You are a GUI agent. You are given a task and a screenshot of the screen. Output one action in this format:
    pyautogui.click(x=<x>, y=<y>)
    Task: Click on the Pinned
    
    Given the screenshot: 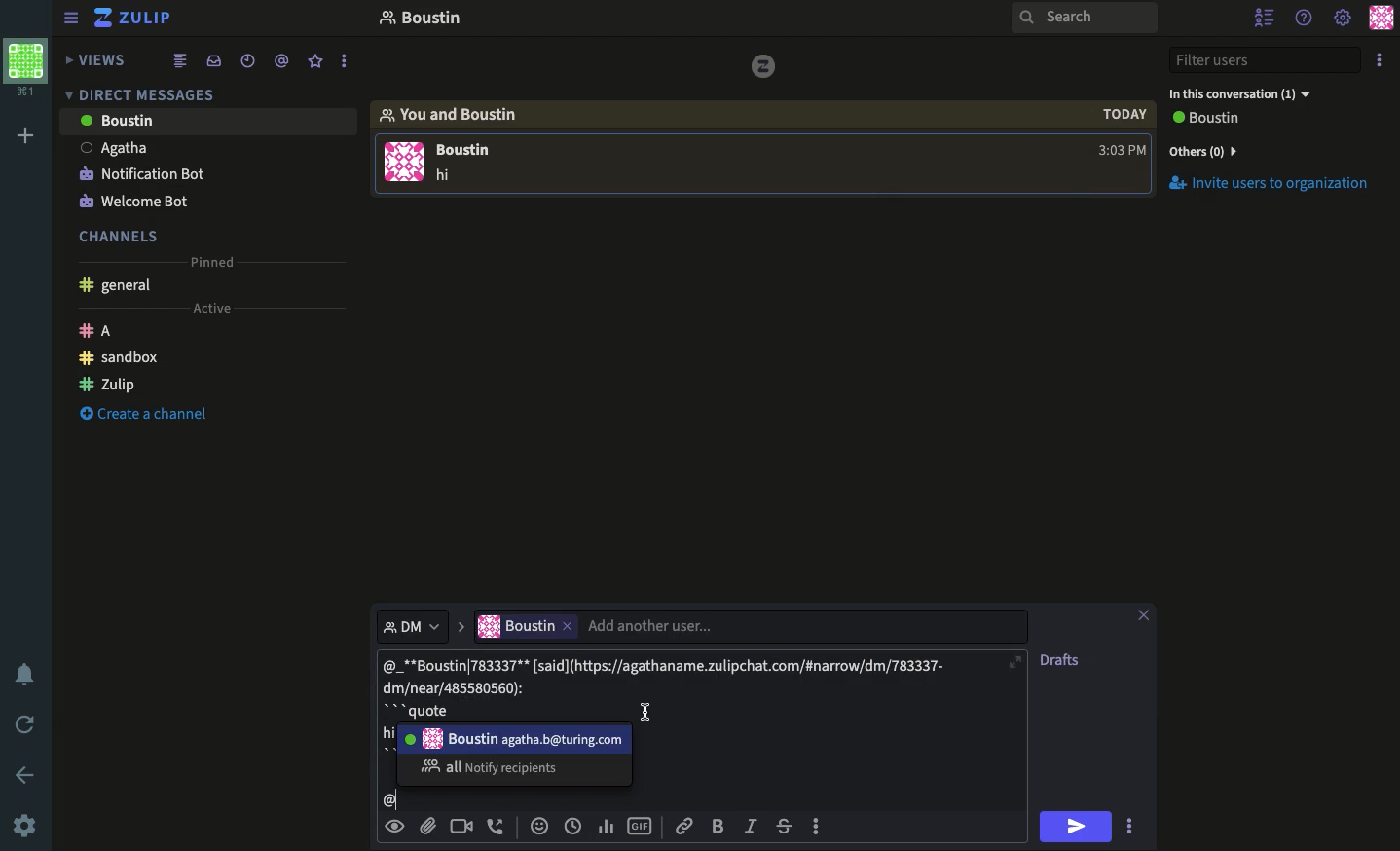 What is the action you would take?
    pyautogui.click(x=215, y=261)
    